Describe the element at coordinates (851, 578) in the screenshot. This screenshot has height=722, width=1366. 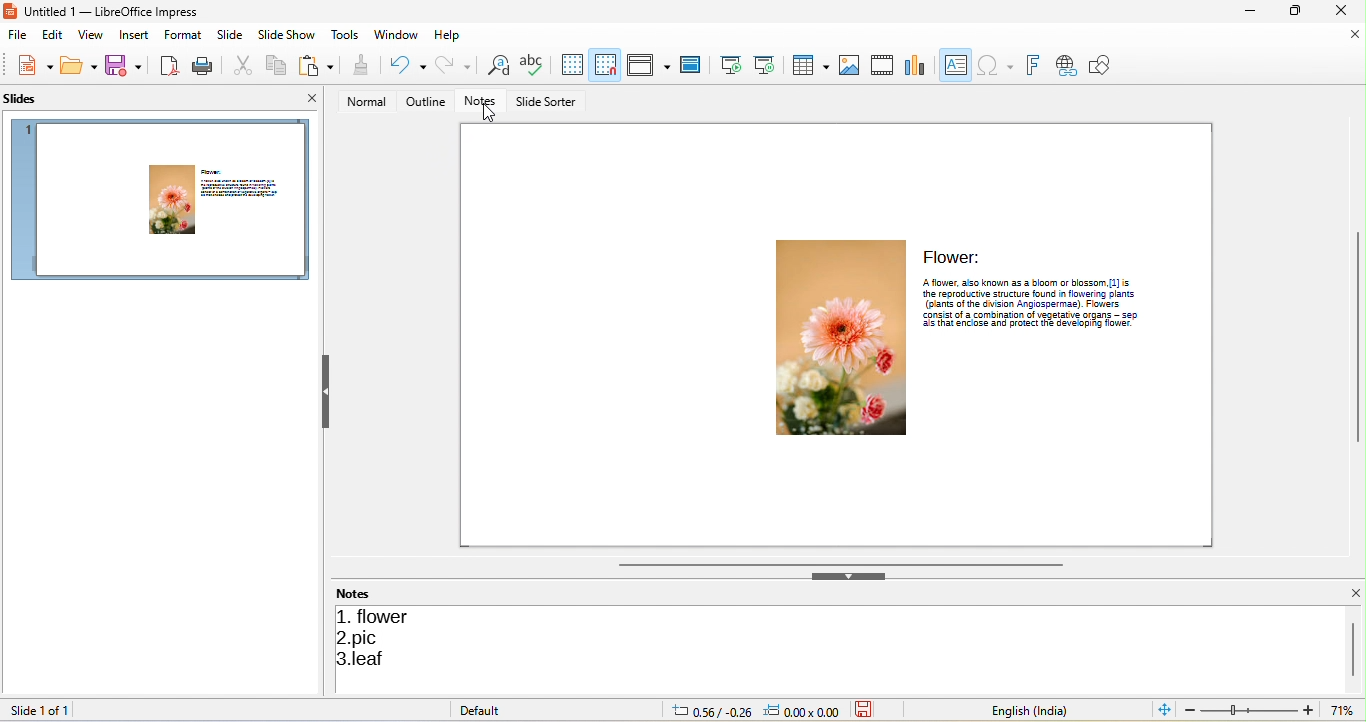
I see `hide bottom sidebar` at that location.